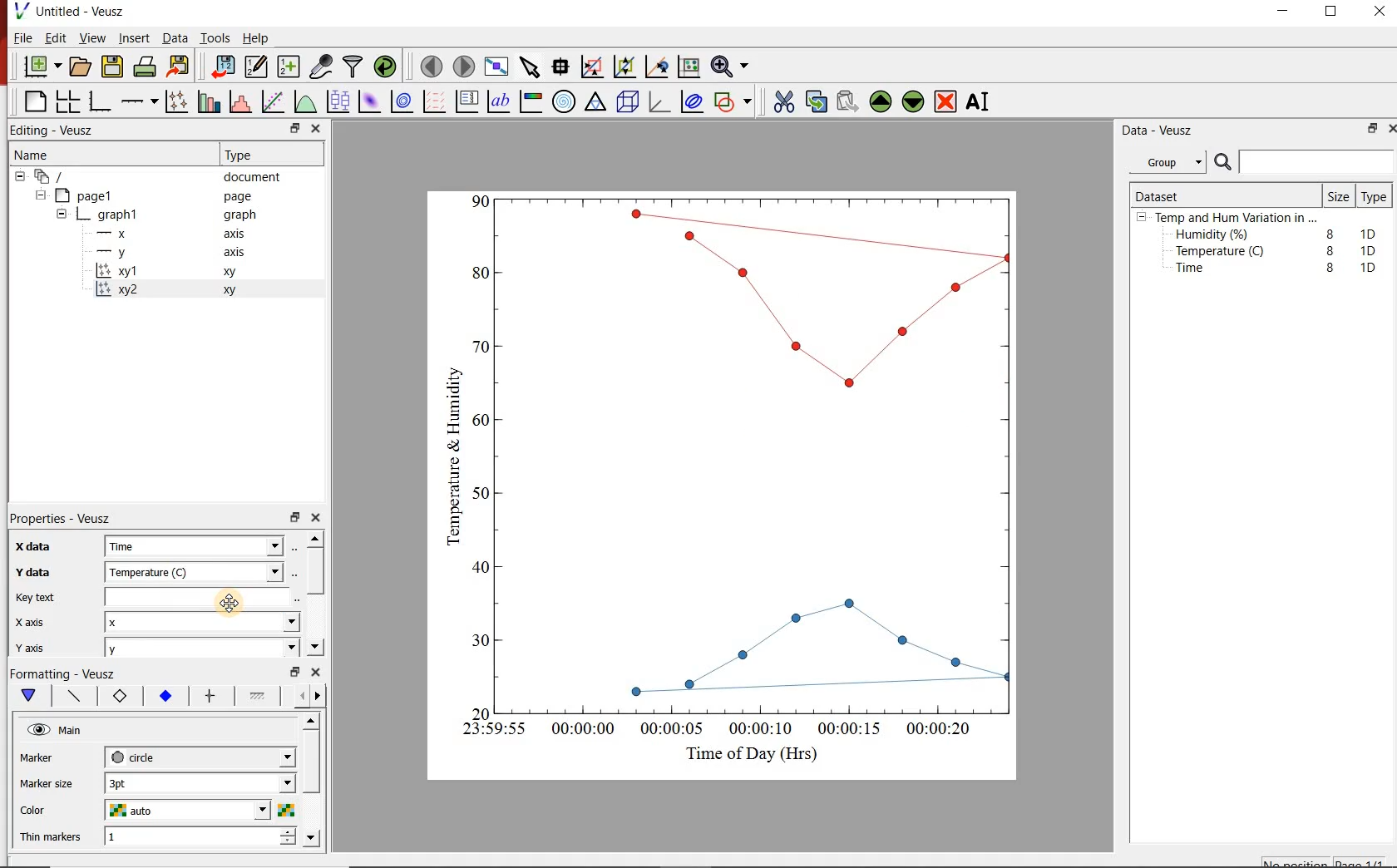  What do you see at coordinates (273, 623) in the screenshot?
I see `x axis dropdown` at bounding box center [273, 623].